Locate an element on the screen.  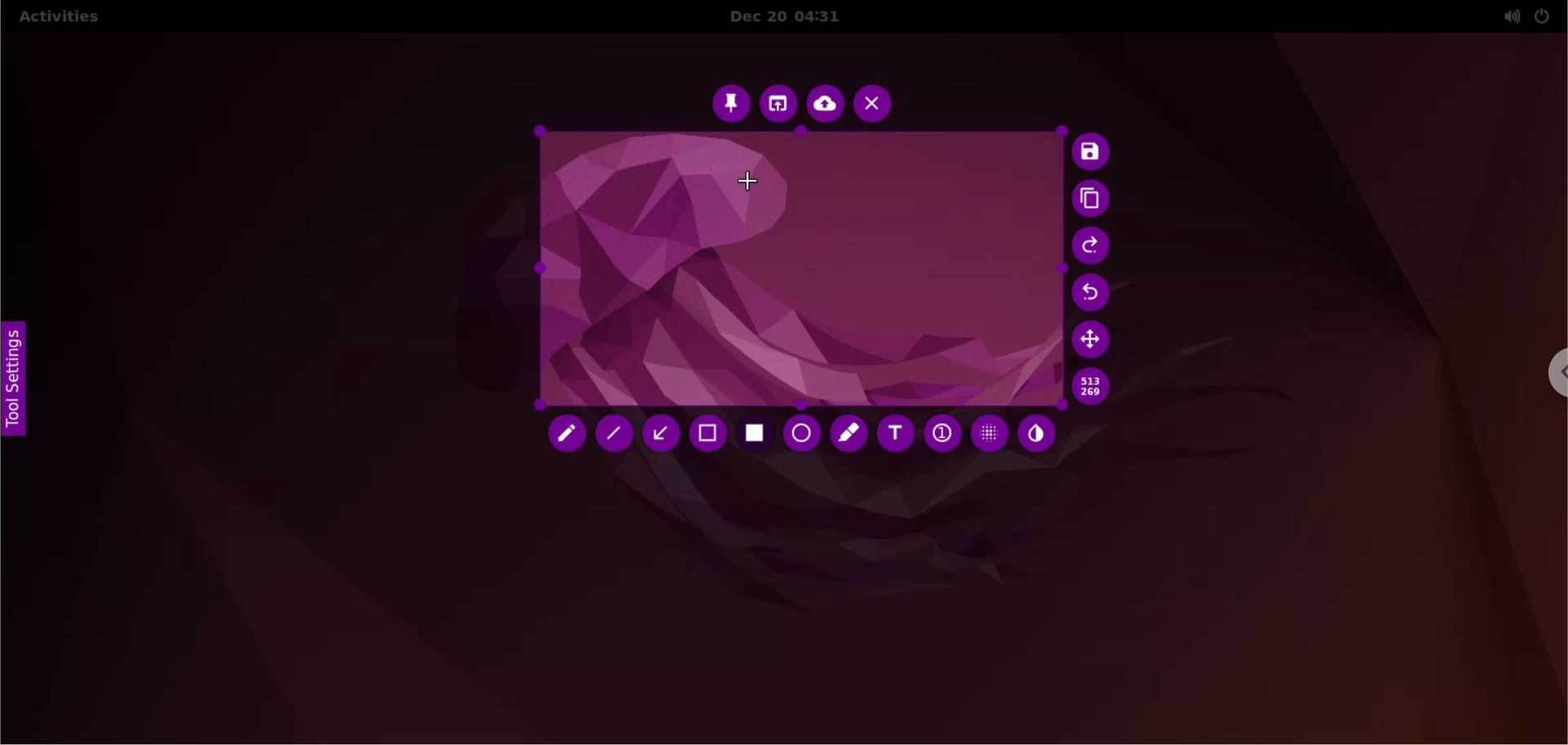
pin is located at coordinates (731, 103).